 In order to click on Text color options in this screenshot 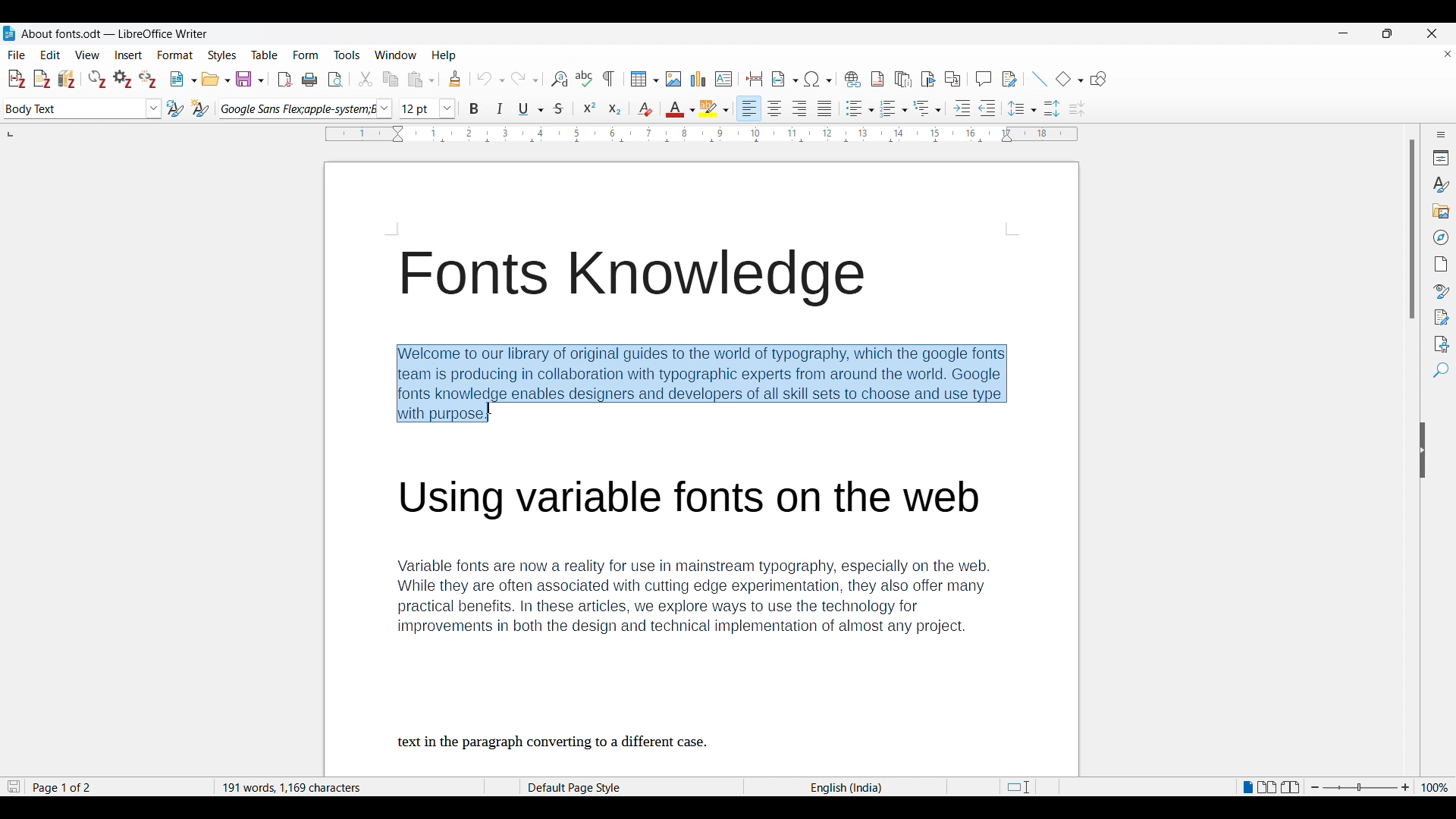, I will do `click(681, 108)`.